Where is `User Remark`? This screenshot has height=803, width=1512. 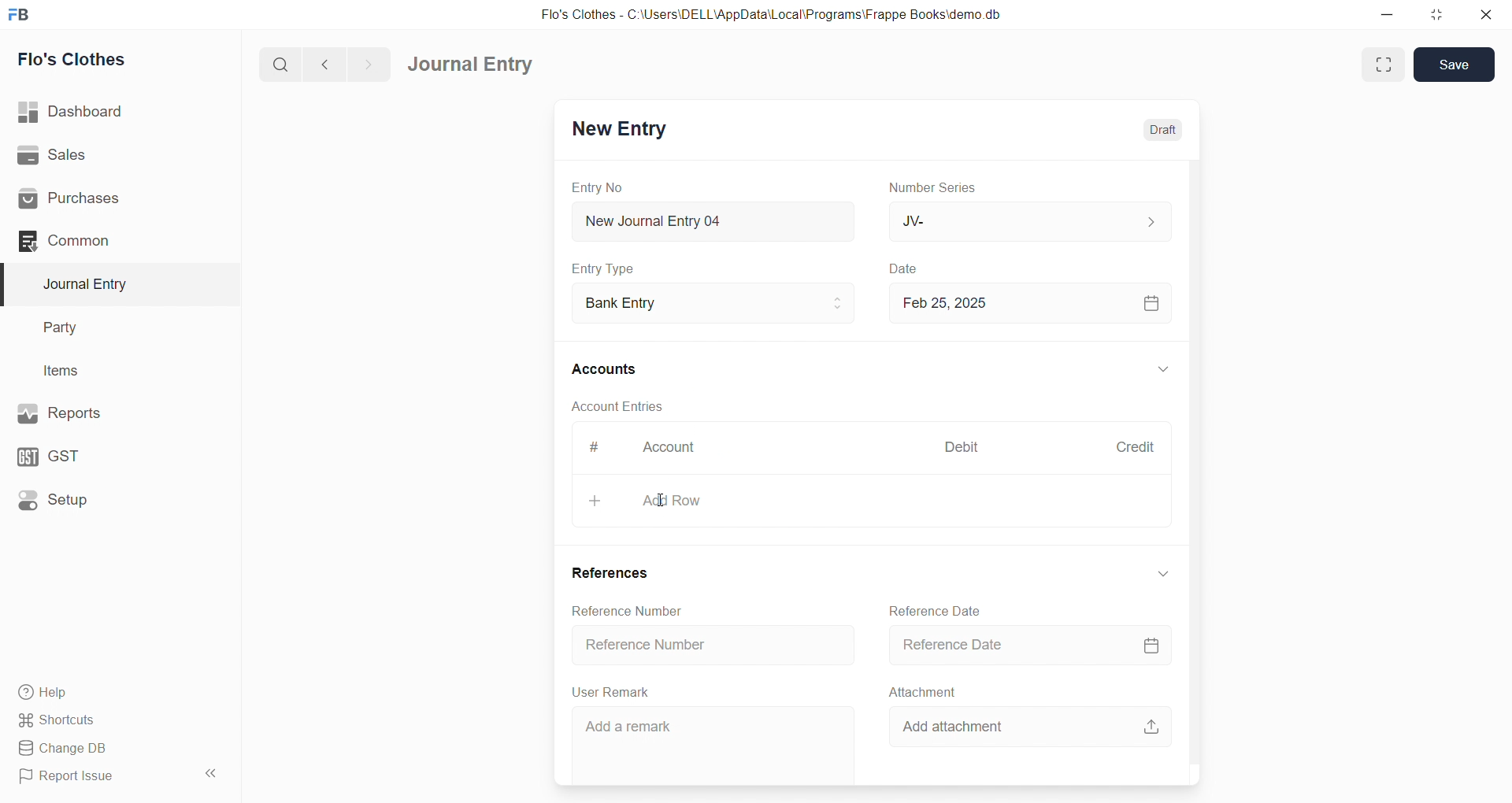 User Remark is located at coordinates (614, 691).